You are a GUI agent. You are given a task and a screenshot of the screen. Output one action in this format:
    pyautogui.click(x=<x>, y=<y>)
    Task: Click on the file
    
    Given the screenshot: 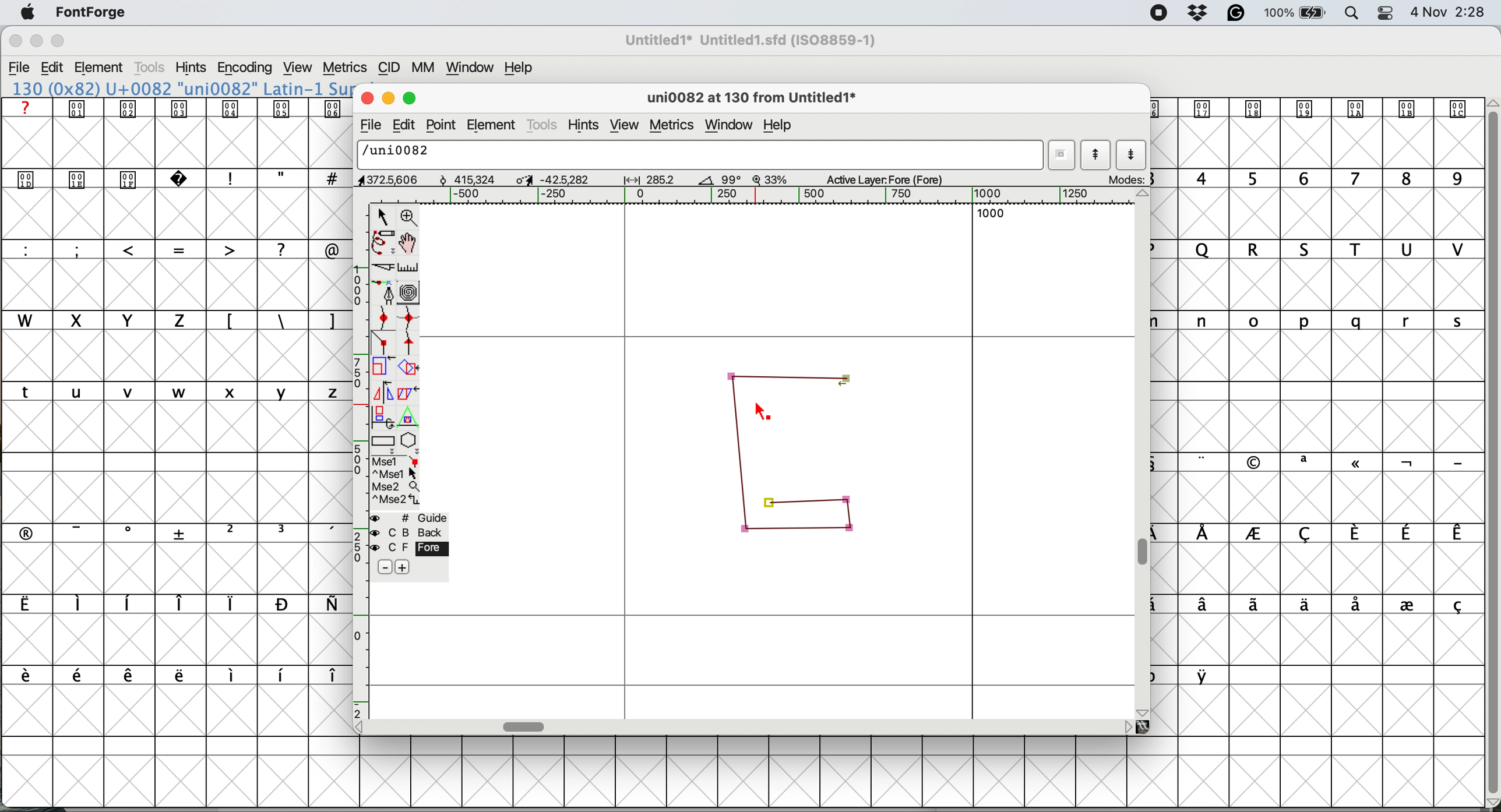 What is the action you would take?
    pyautogui.click(x=369, y=125)
    